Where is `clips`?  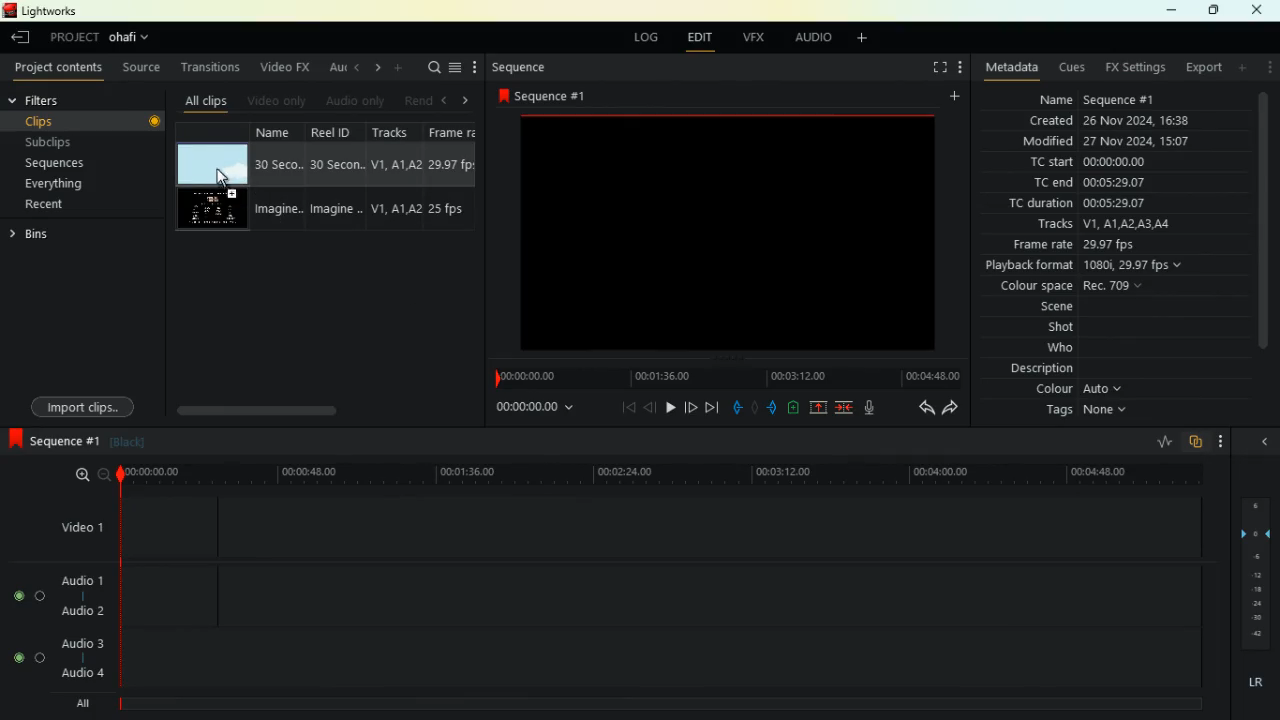 clips is located at coordinates (92, 121).